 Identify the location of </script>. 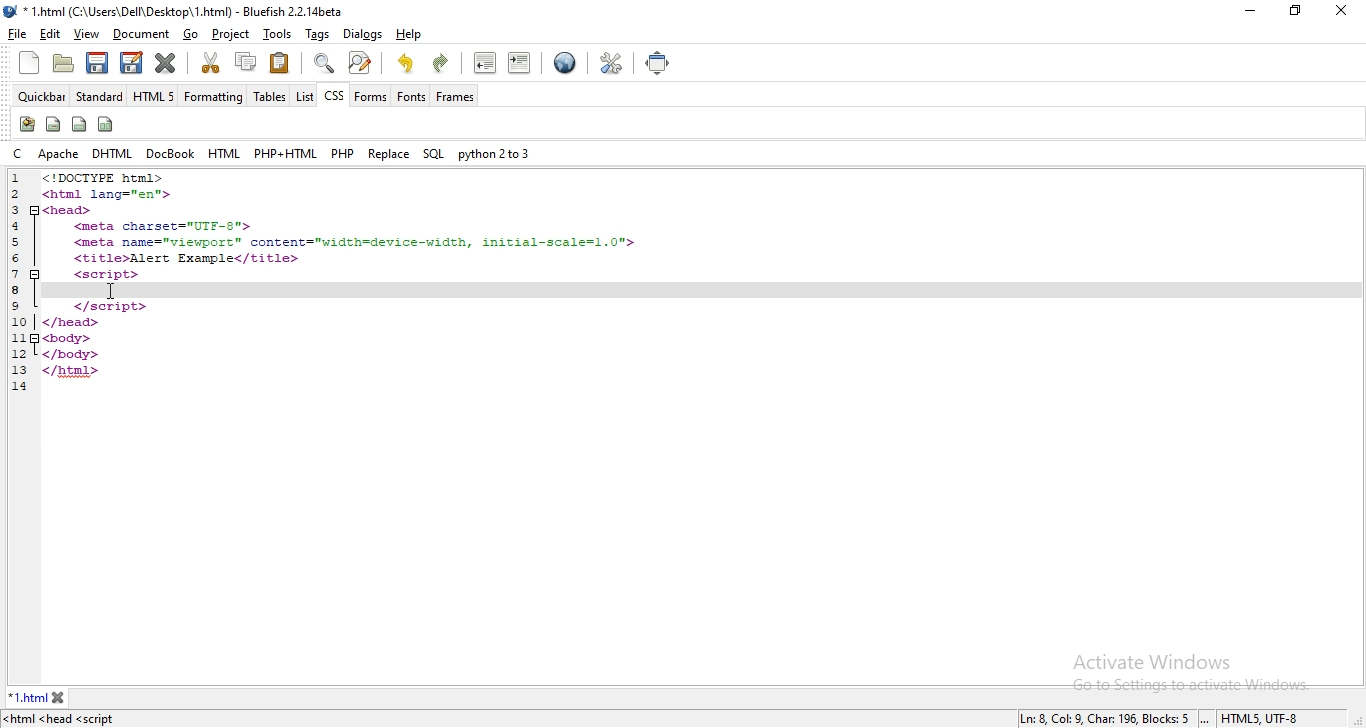
(108, 306).